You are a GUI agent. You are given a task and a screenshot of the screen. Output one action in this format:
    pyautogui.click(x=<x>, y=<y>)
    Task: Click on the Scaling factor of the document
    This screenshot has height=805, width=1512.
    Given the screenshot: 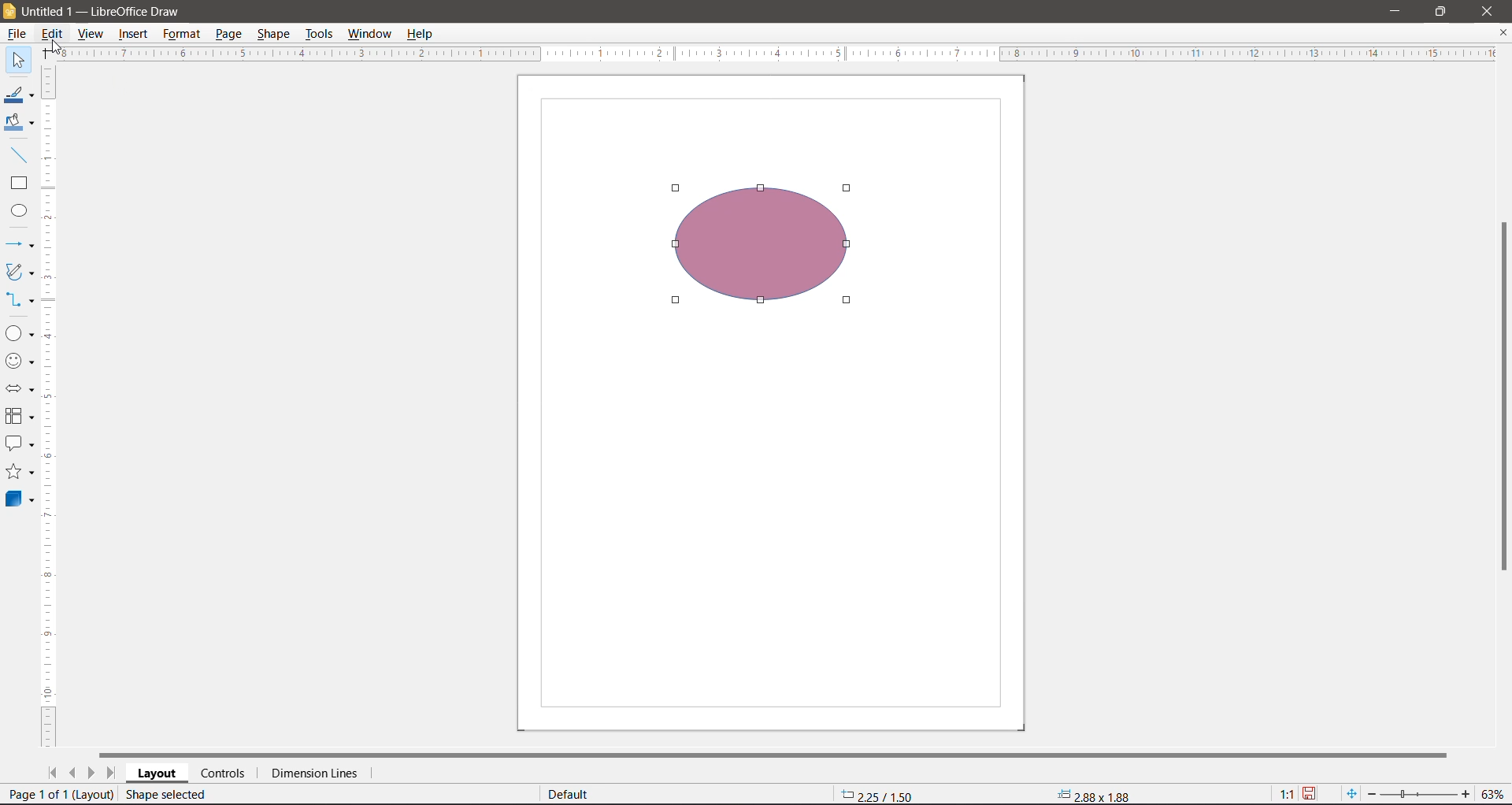 What is the action you would take?
    pyautogui.click(x=1287, y=795)
    